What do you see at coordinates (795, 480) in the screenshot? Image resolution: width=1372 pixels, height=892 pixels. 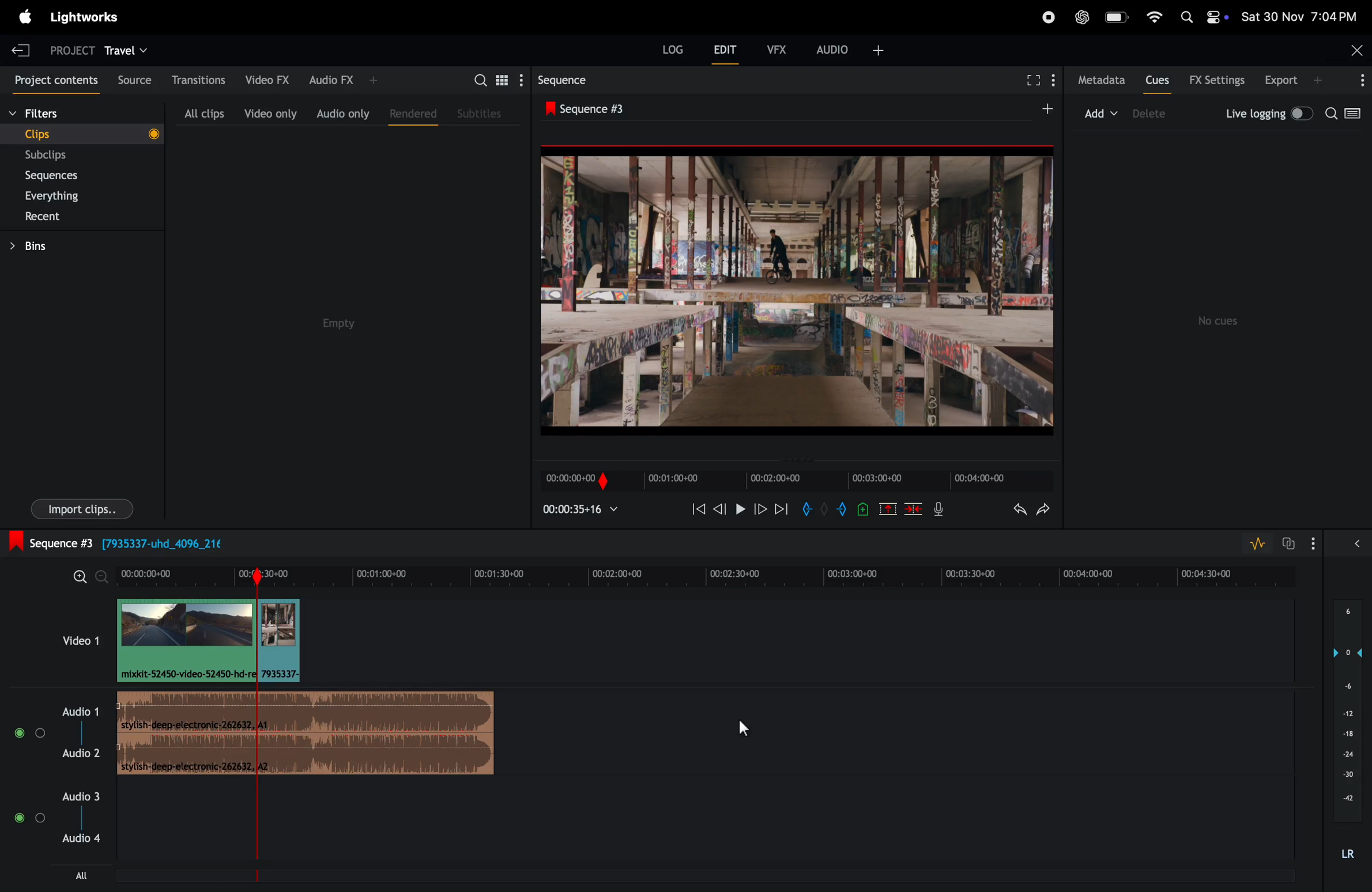 I see `time frame` at bounding box center [795, 480].